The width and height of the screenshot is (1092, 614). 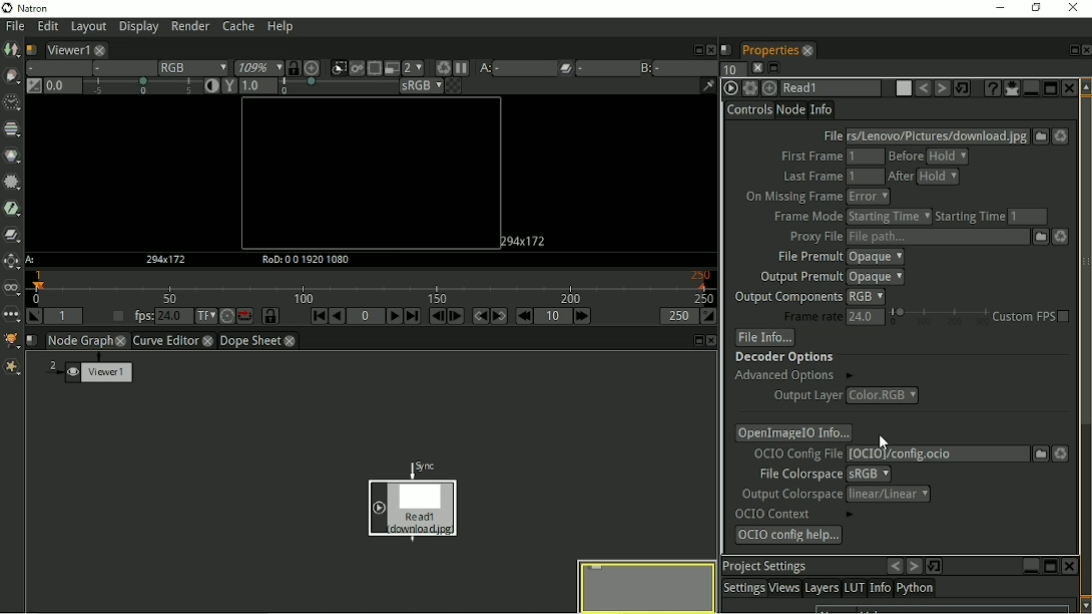 What do you see at coordinates (13, 130) in the screenshot?
I see `Channel` at bounding box center [13, 130].